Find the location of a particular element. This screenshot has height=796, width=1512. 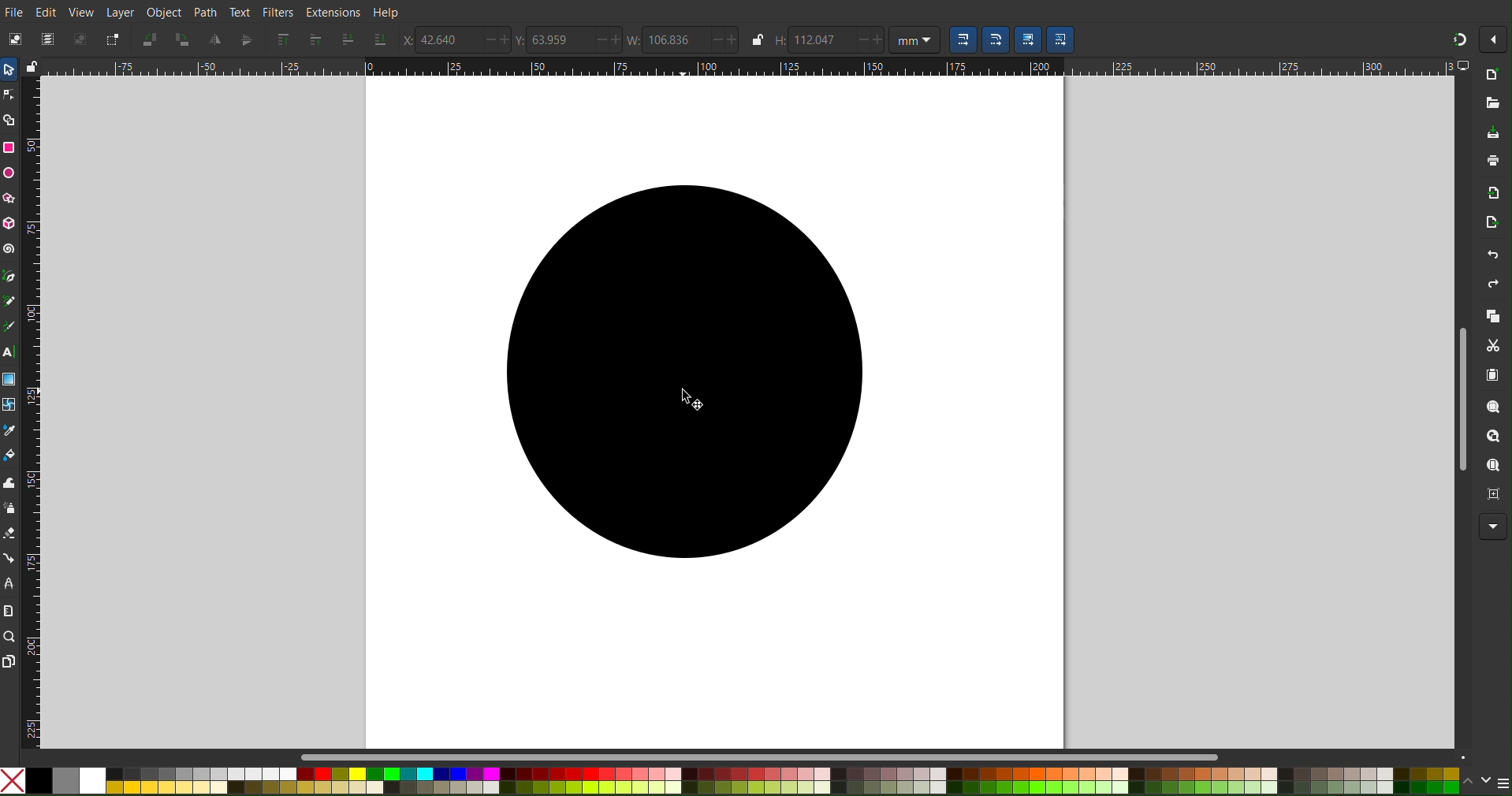

Scaling Option 1 is located at coordinates (963, 39).